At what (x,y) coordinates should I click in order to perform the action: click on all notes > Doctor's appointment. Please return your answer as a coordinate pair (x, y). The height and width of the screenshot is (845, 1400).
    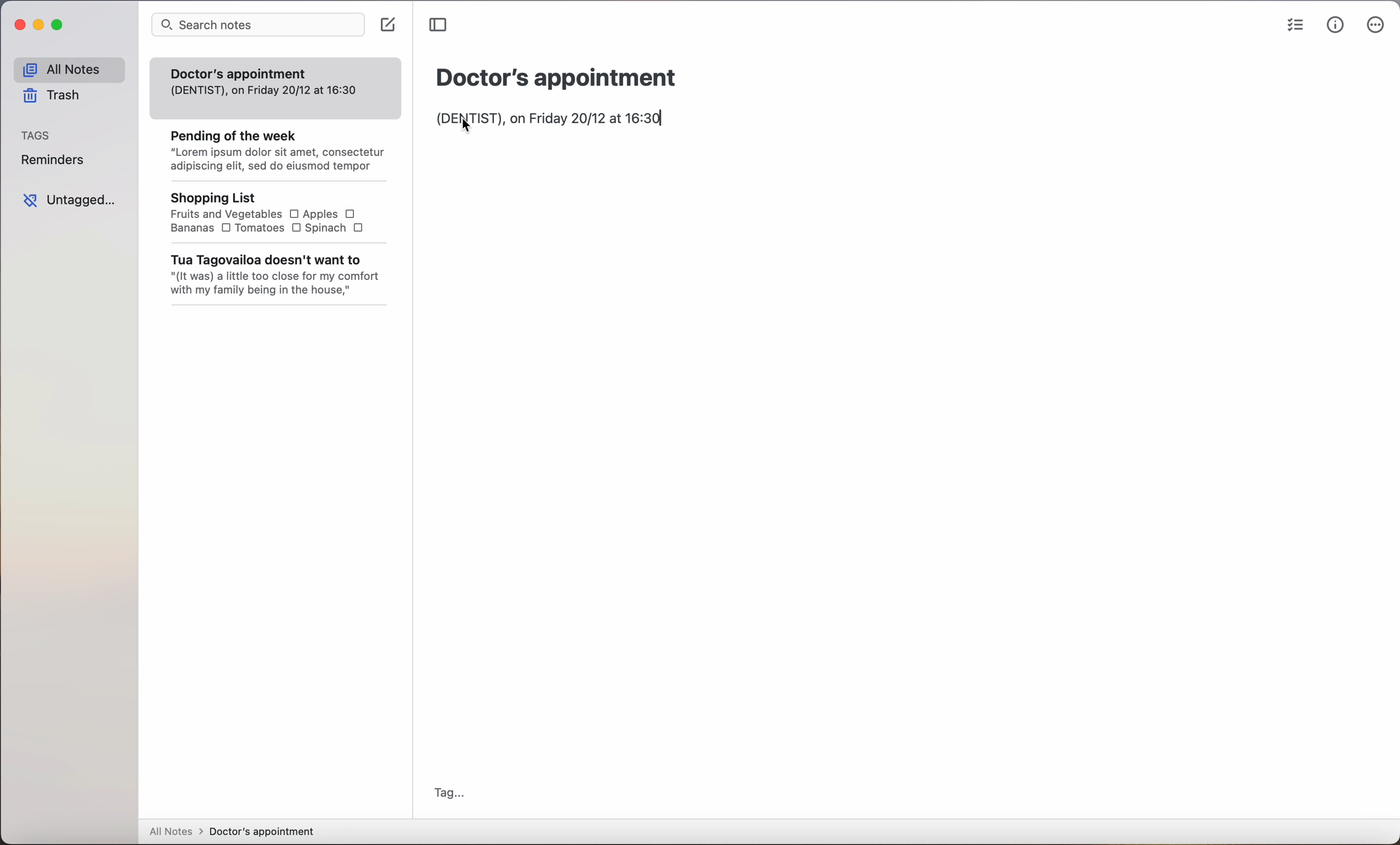
    Looking at the image, I should click on (234, 831).